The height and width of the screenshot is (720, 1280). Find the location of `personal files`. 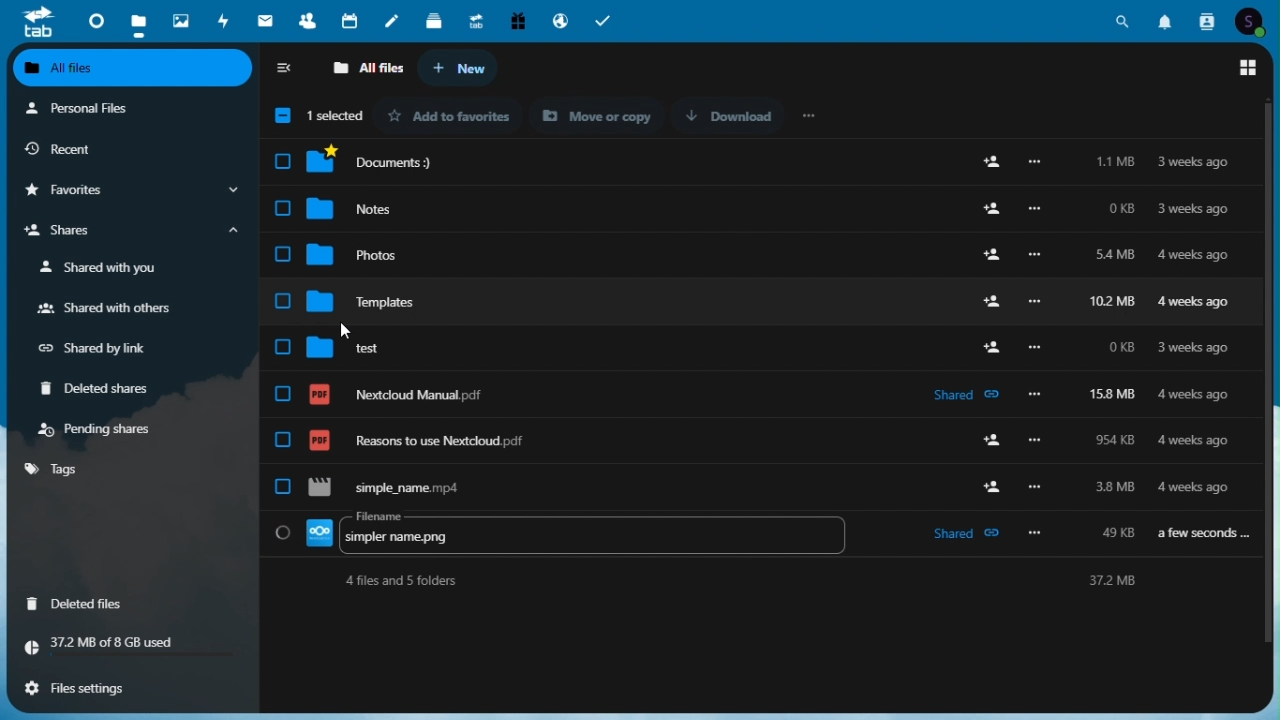

personal files is located at coordinates (120, 110).